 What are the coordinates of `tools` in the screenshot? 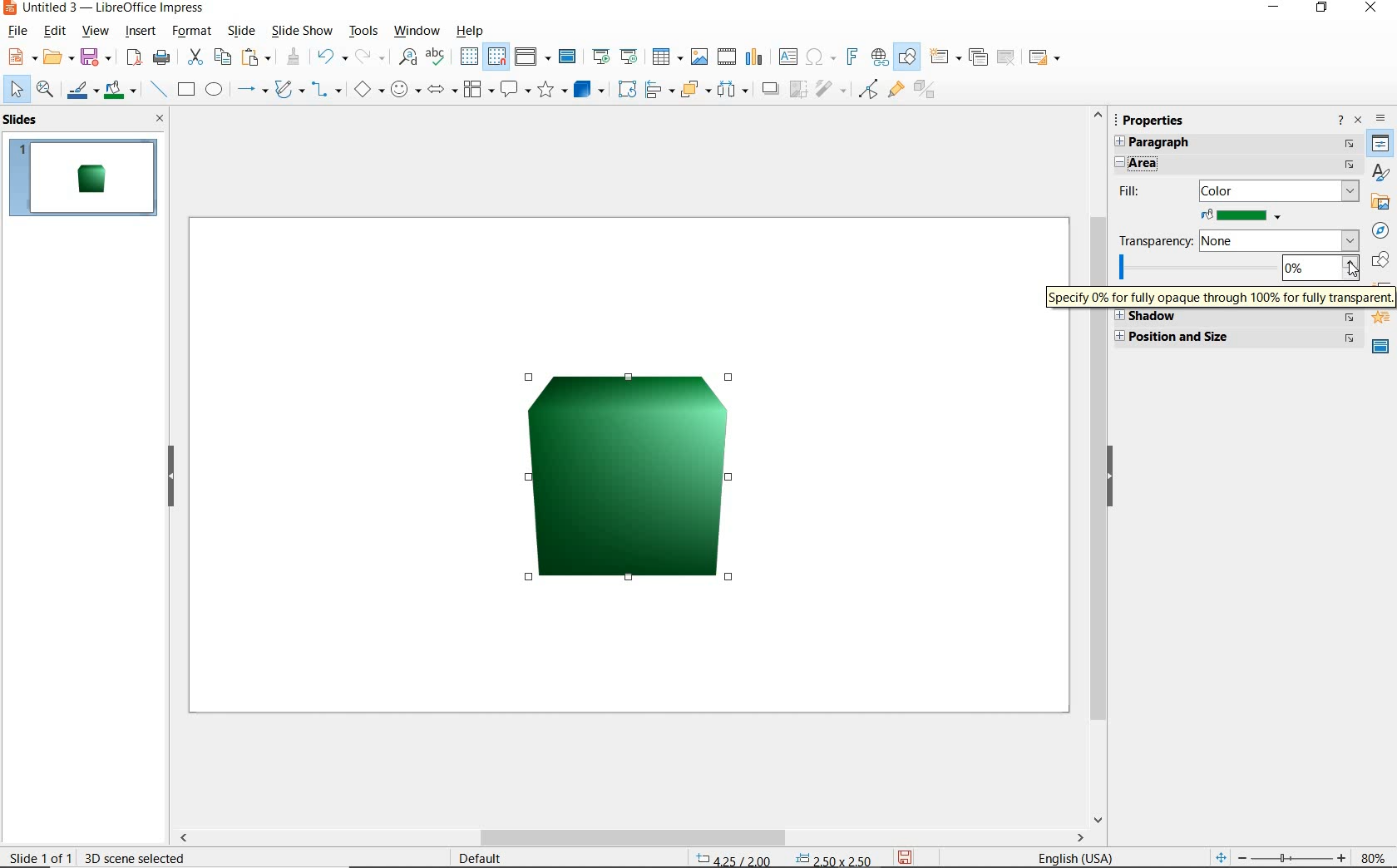 It's located at (364, 31).